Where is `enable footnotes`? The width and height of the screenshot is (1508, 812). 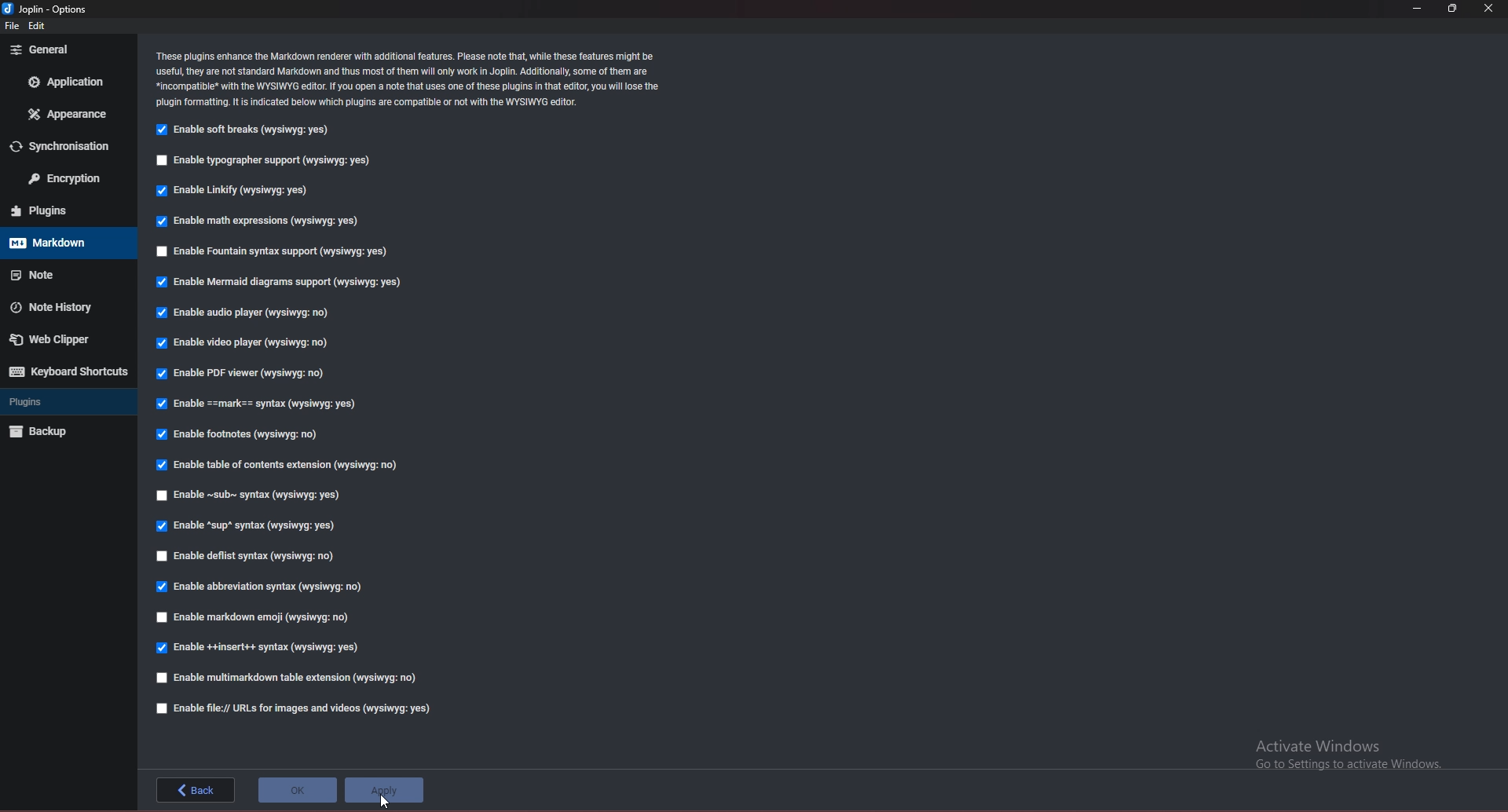
enable footnotes is located at coordinates (245, 433).